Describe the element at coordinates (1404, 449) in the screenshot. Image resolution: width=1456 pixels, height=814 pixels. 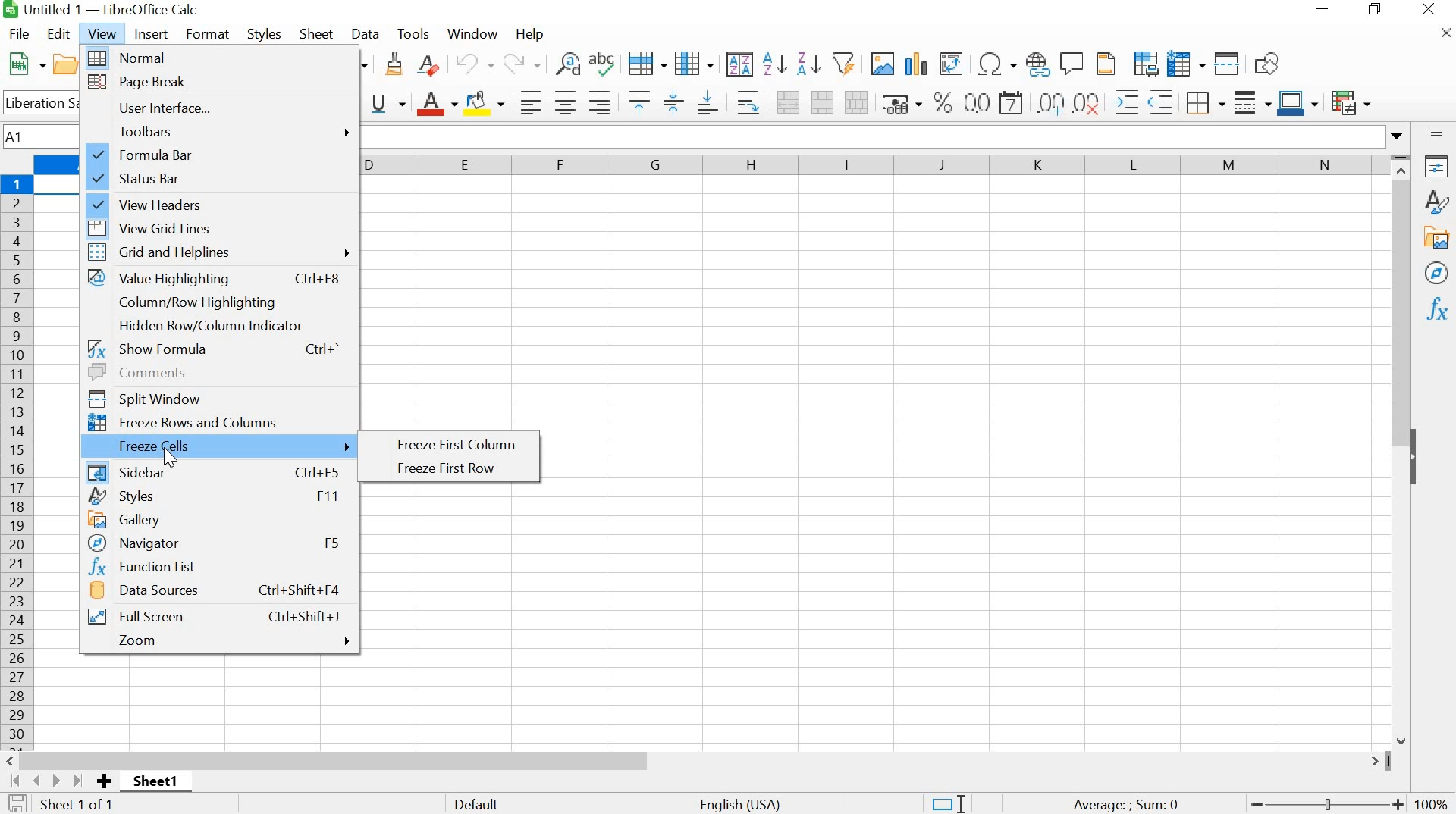
I see `SCROLLBAR` at that location.